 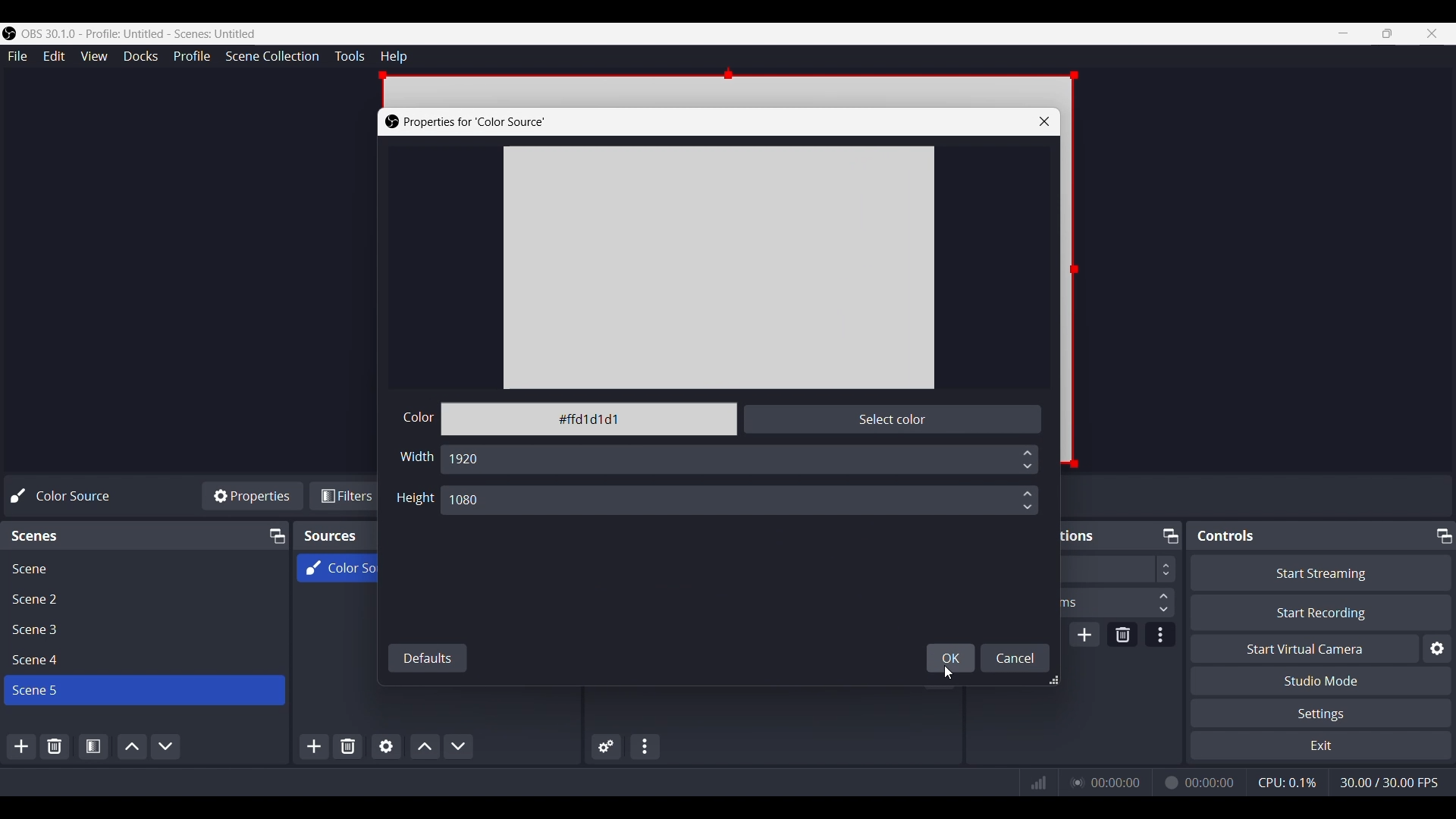 What do you see at coordinates (1053, 680) in the screenshot?
I see `Change Width/Height of window` at bounding box center [1053, 680].